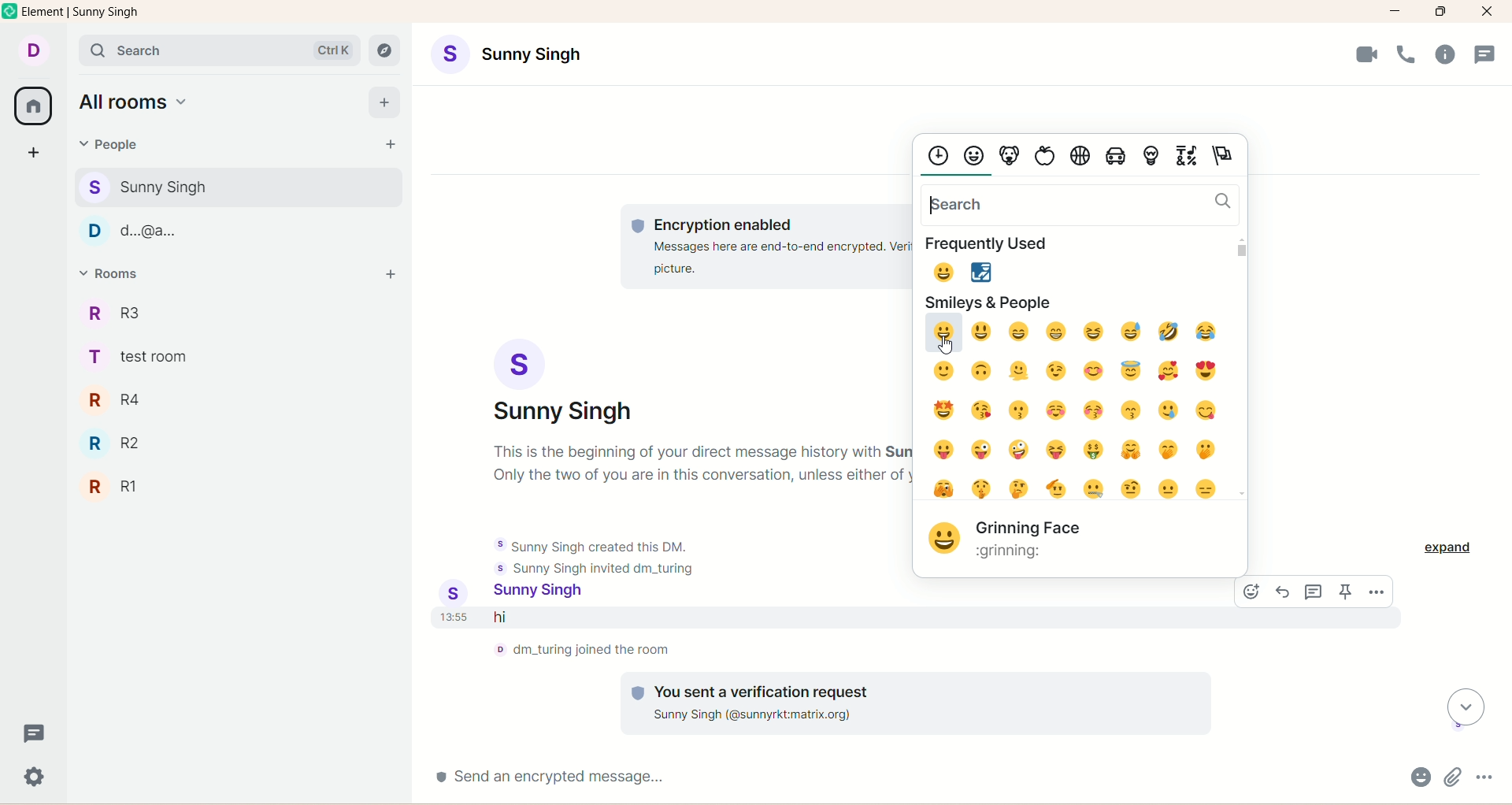  Describe the element at coordinates (1368, 54) in the screenshot. I see `video call` at that location.